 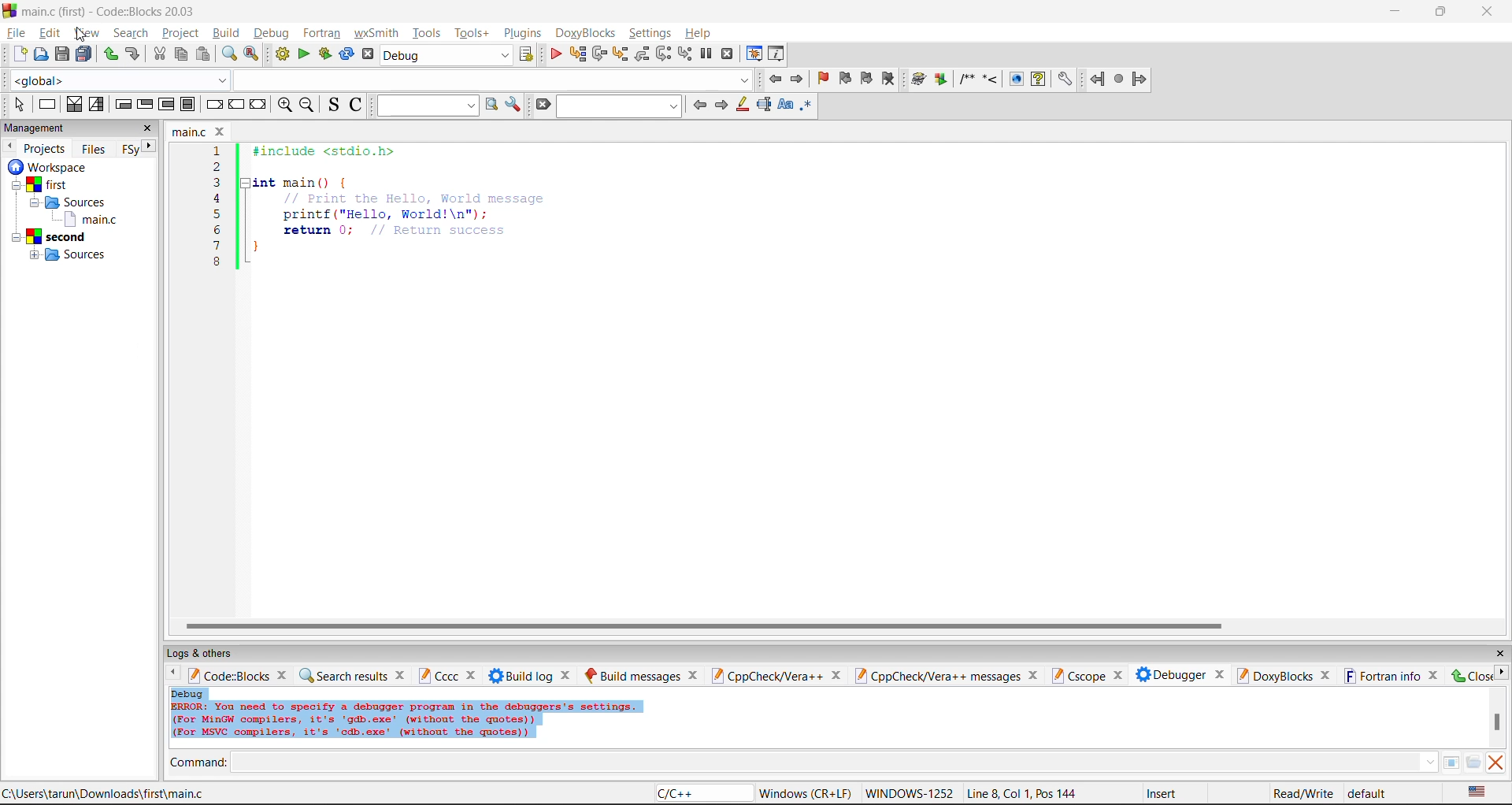 I want to click on build, so click(x=282, y=56).